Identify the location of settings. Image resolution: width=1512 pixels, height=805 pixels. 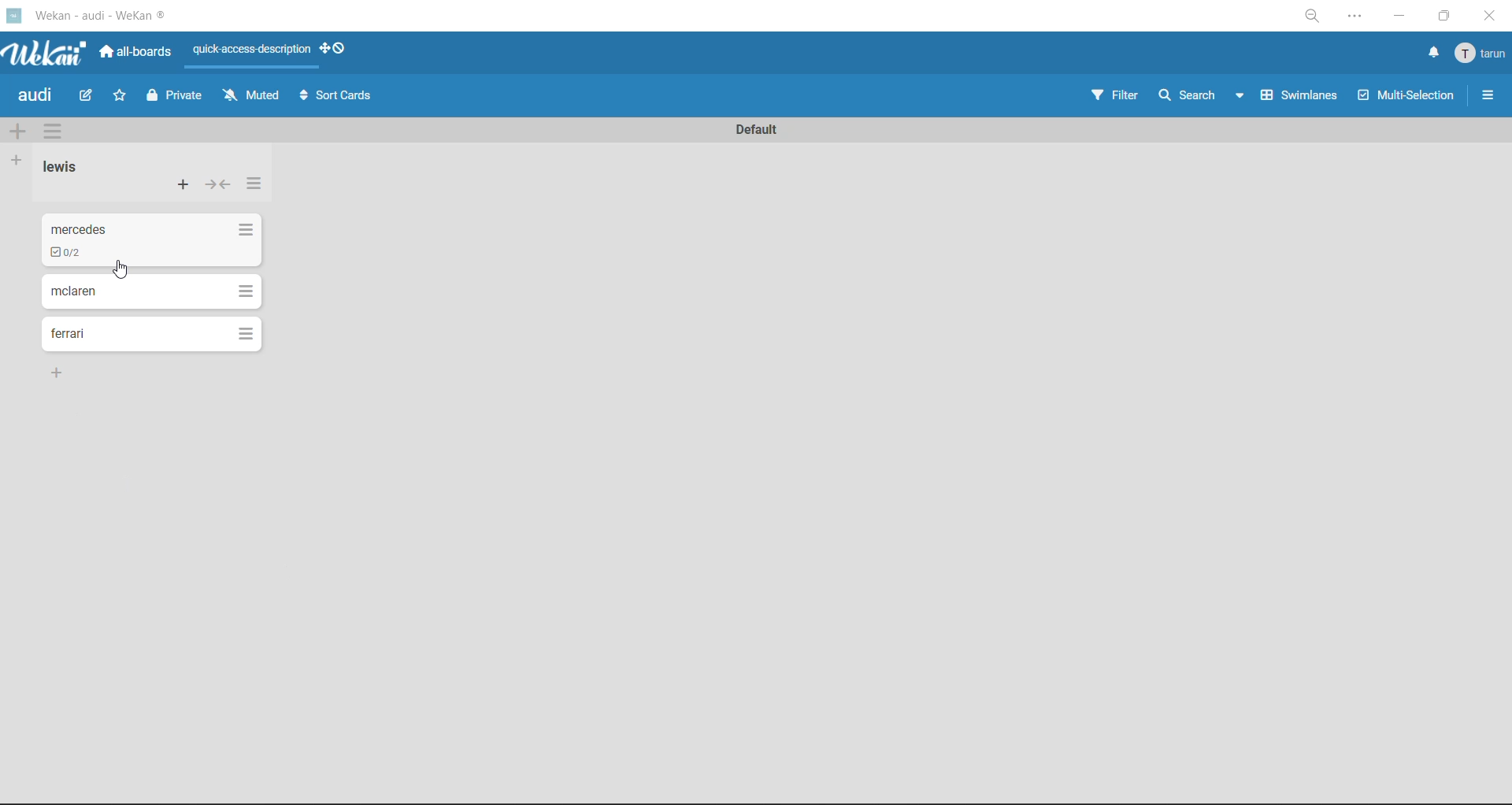
(1355, 16).